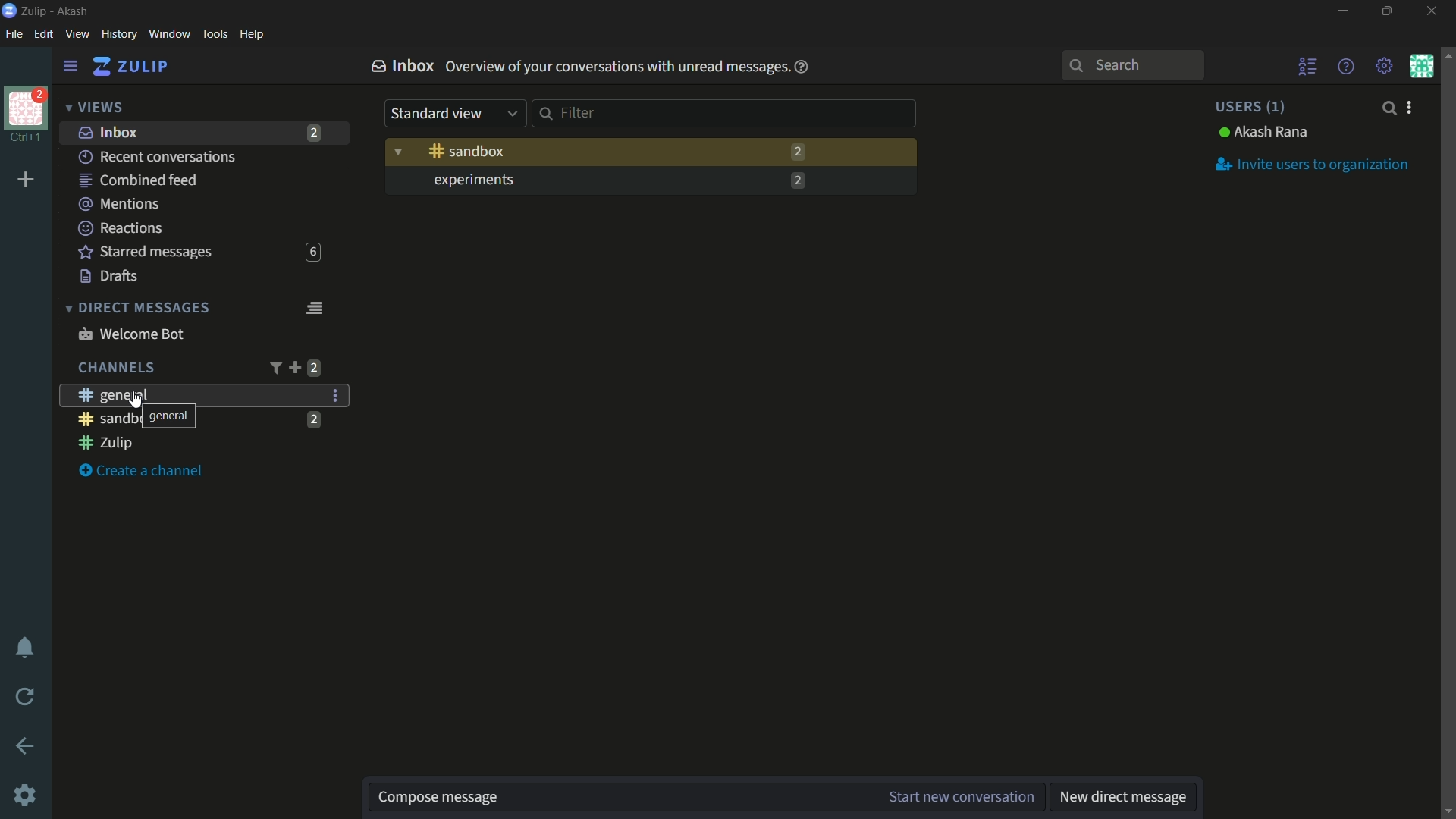 The width and height of the screenshot is (1456, 819). Describe the element at coordinates (618, 798) in the screenshot. I see `compose new message` at that location.